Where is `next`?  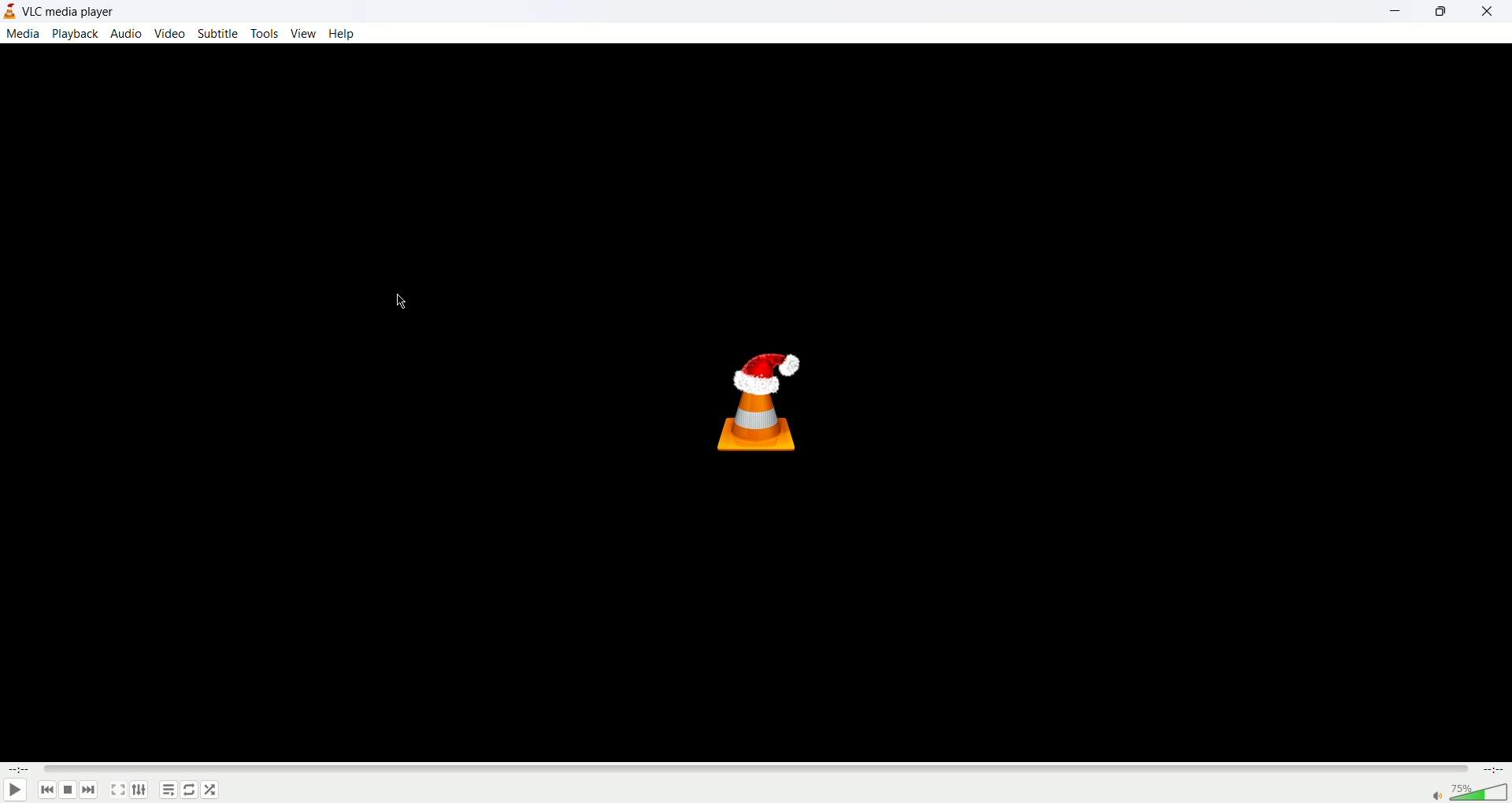
next is located at coordinates (91, 791).